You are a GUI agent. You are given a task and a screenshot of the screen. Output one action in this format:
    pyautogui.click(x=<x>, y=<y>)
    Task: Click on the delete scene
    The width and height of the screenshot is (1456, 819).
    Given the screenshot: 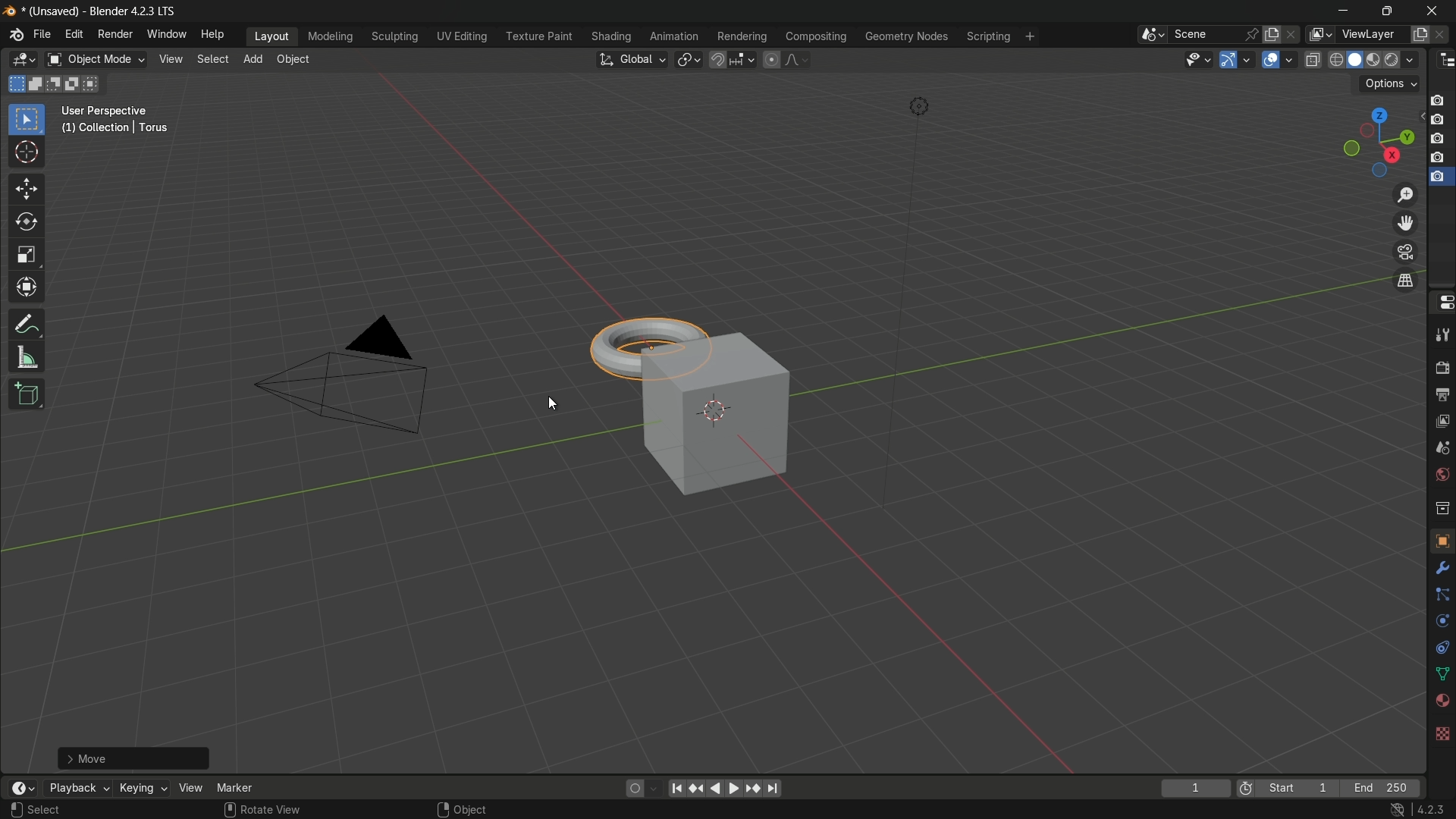 What is the action you would take?
    pyautogui.click(x=1293, y=34)
    